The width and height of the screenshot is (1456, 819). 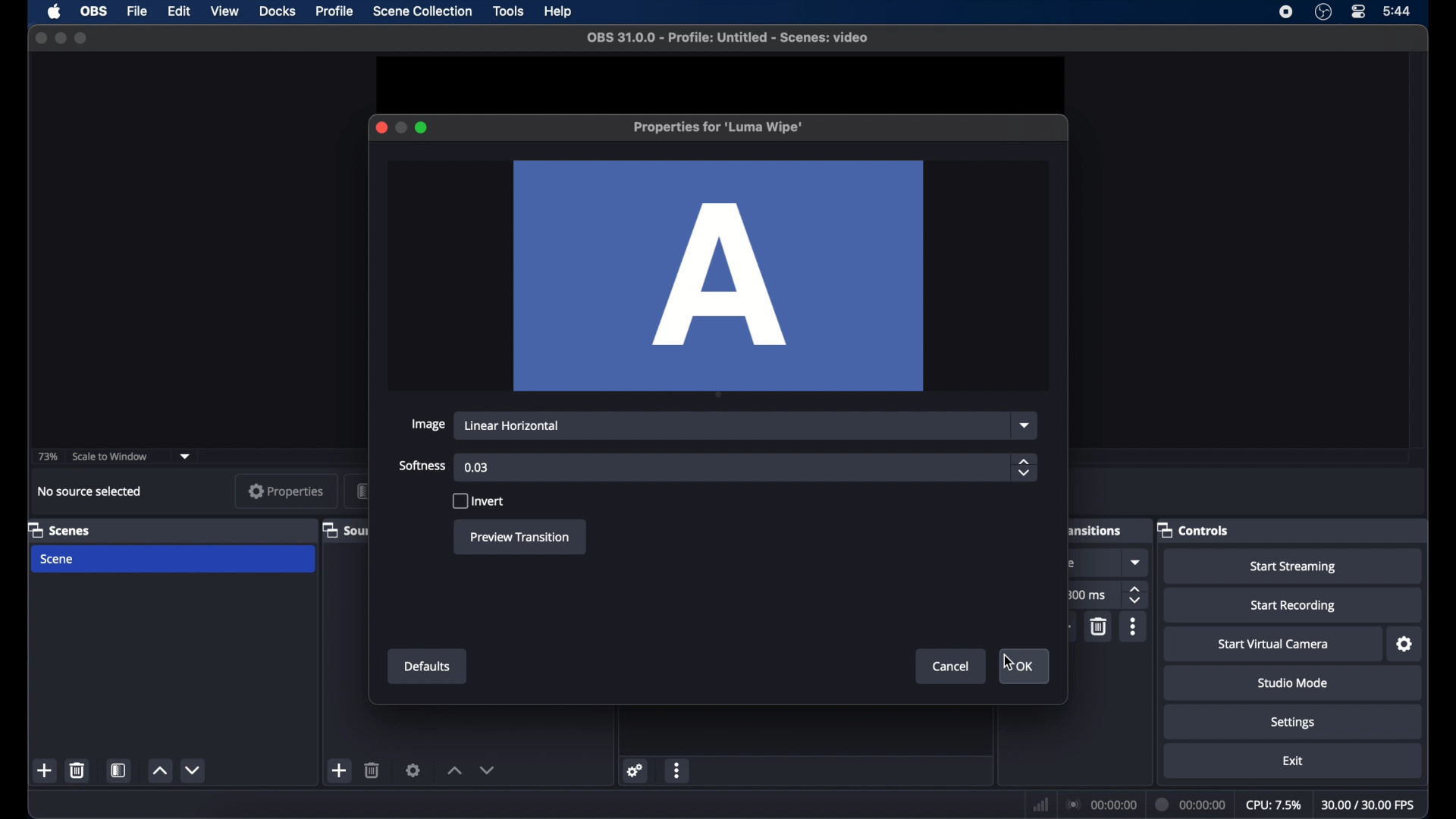 I want to click on start virtual camera, so click(x=1273, y=644).